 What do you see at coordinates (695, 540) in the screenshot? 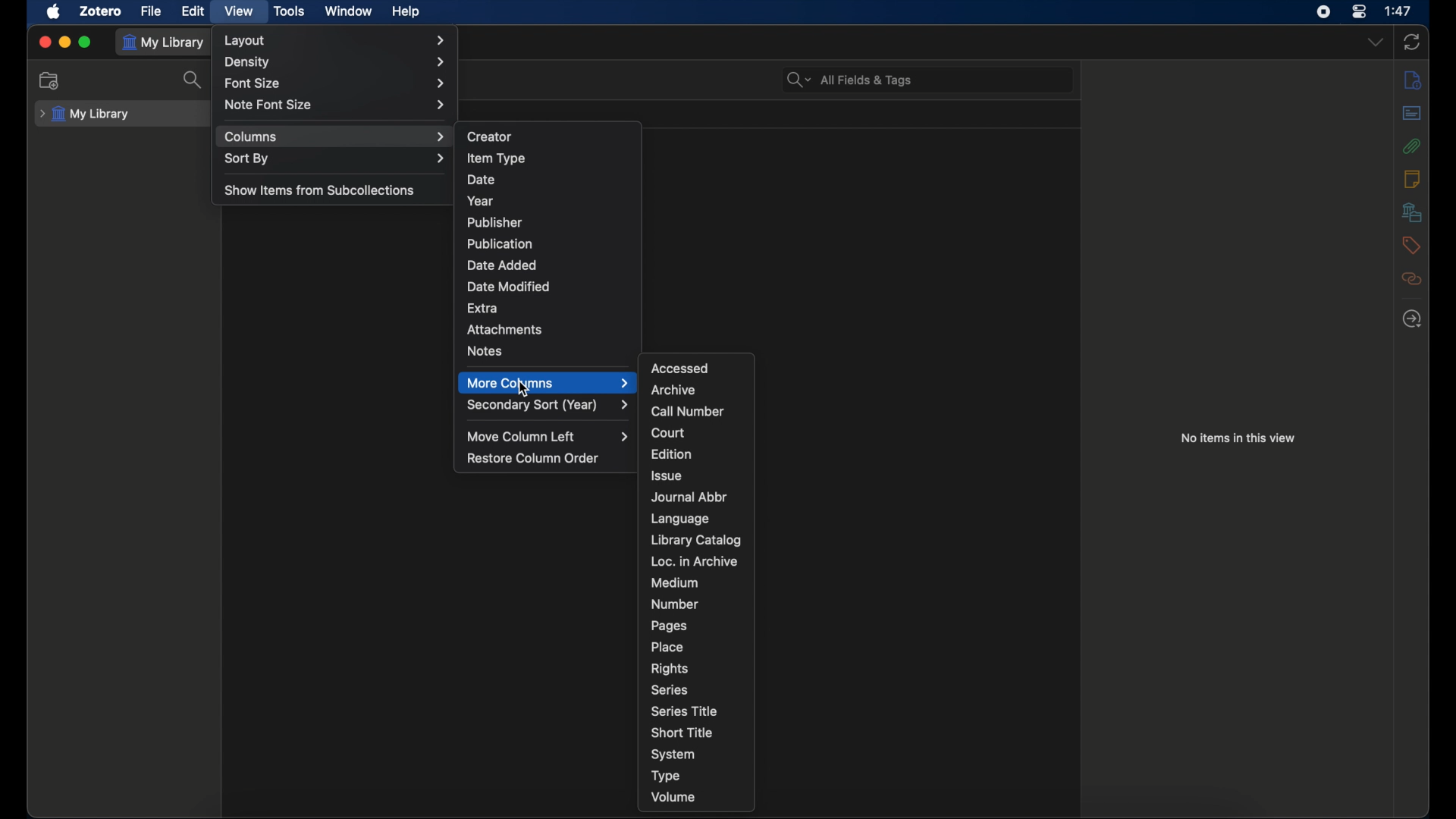
I see `library catalog` at bounding box center [695, 540].